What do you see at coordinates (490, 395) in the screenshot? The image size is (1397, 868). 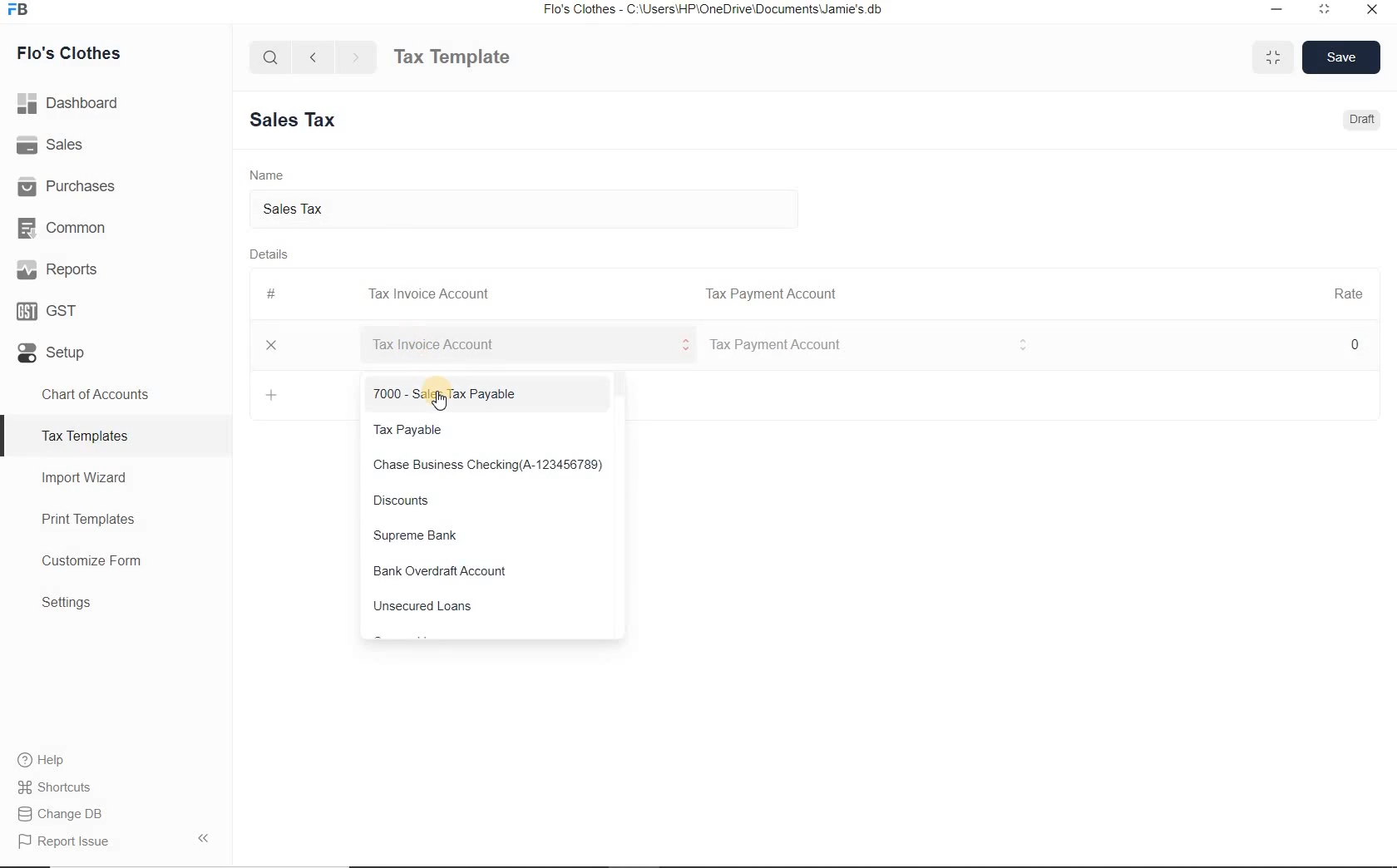 I see `7000-Sales Tax Payable` at bounding box center [490, 395].